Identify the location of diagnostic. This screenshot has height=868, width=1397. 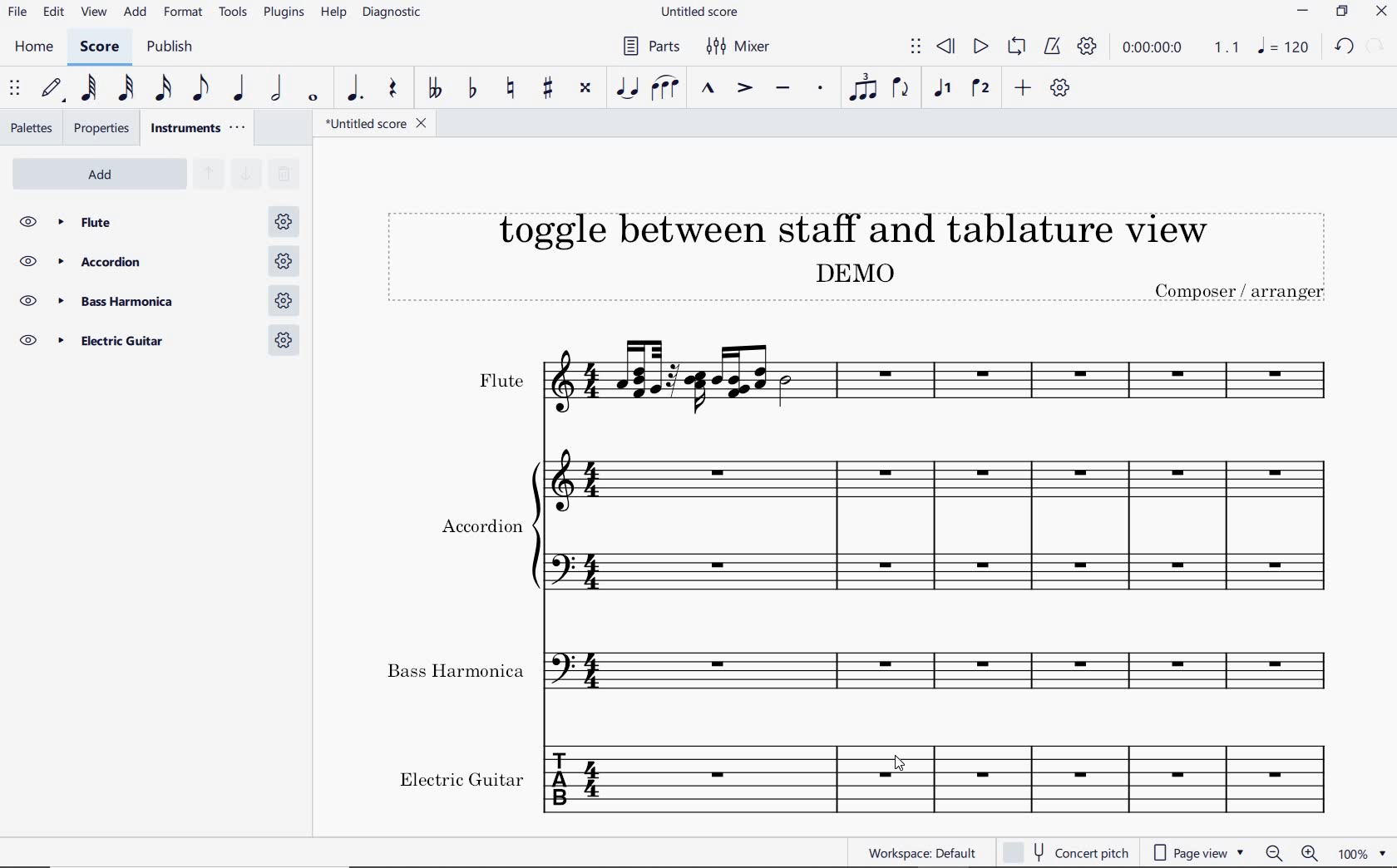
(396, 15).